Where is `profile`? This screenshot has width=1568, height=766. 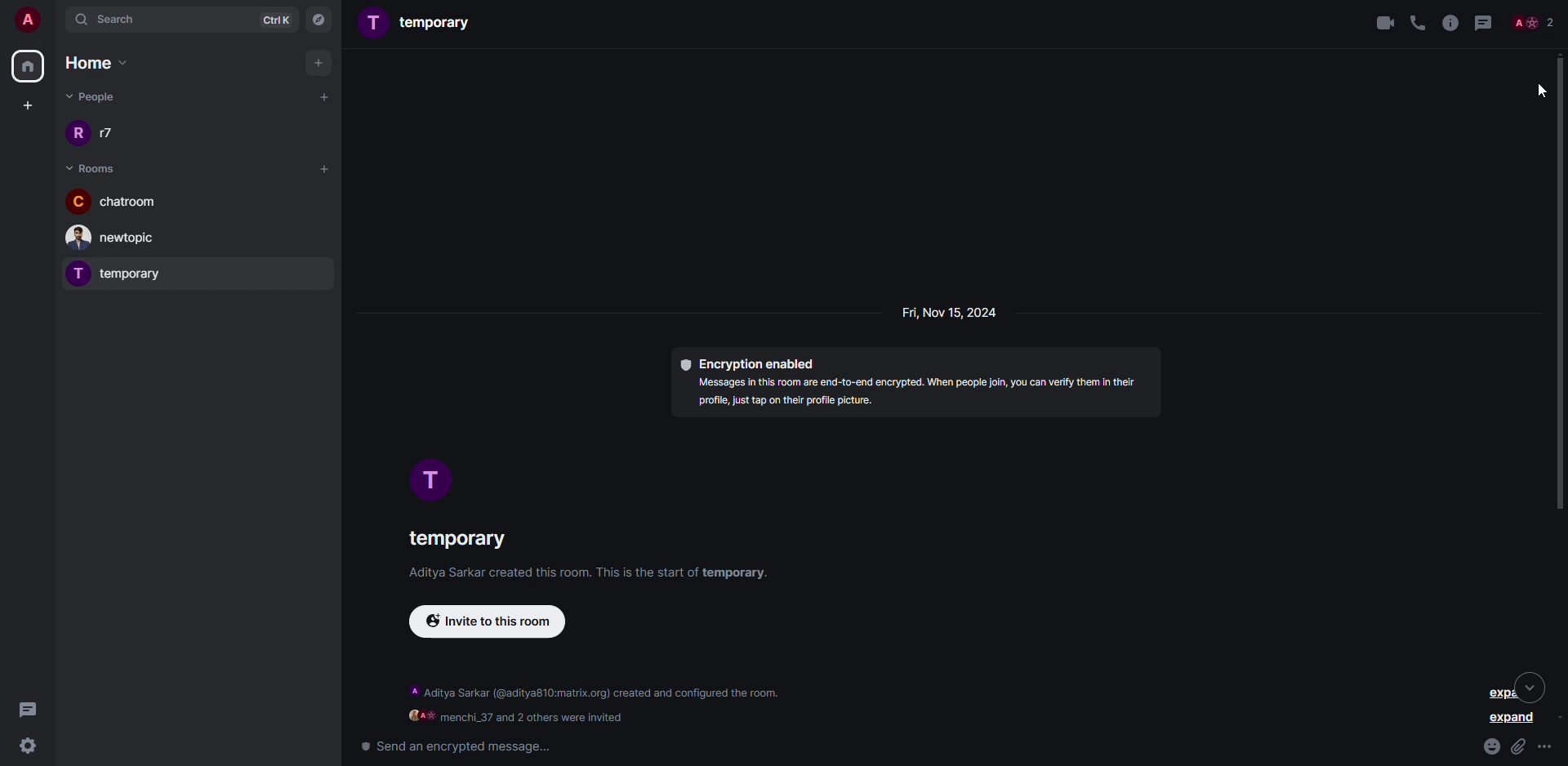
profile is located at coordinates (434, 482).